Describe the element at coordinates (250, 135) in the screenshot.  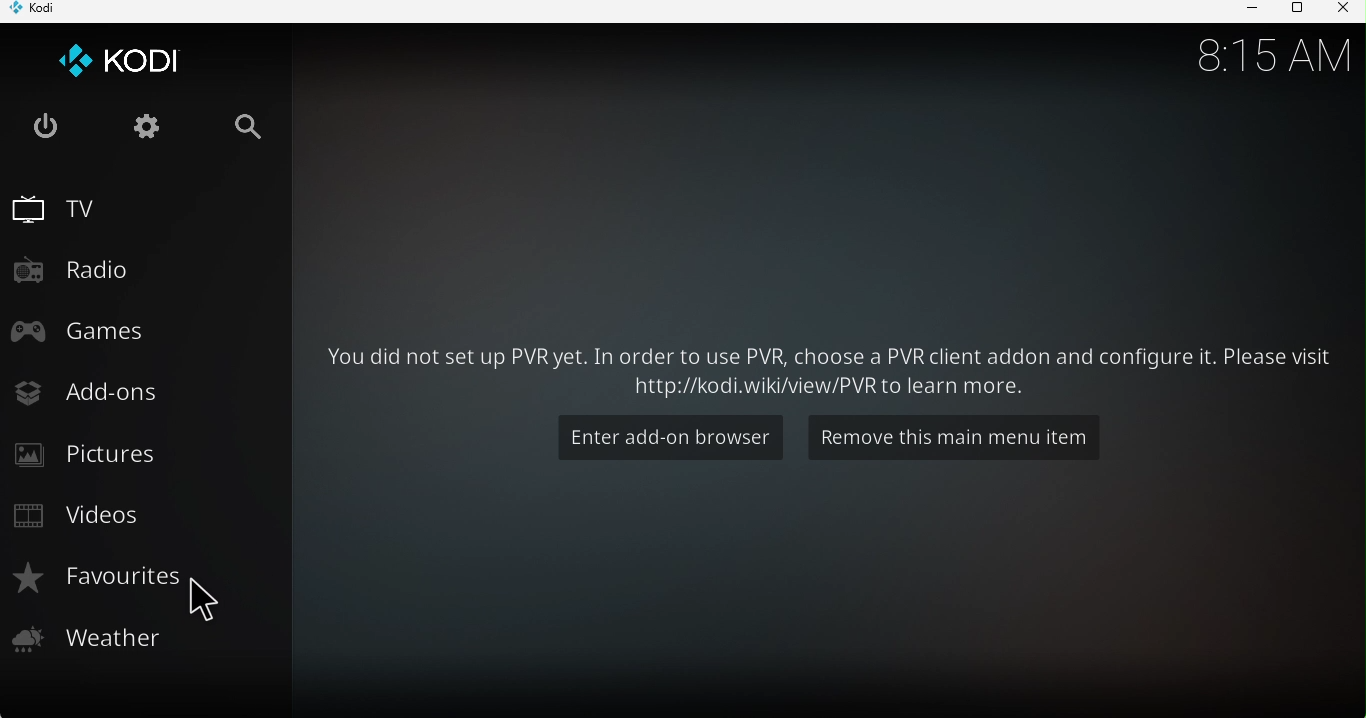
I see `Search` at that location.